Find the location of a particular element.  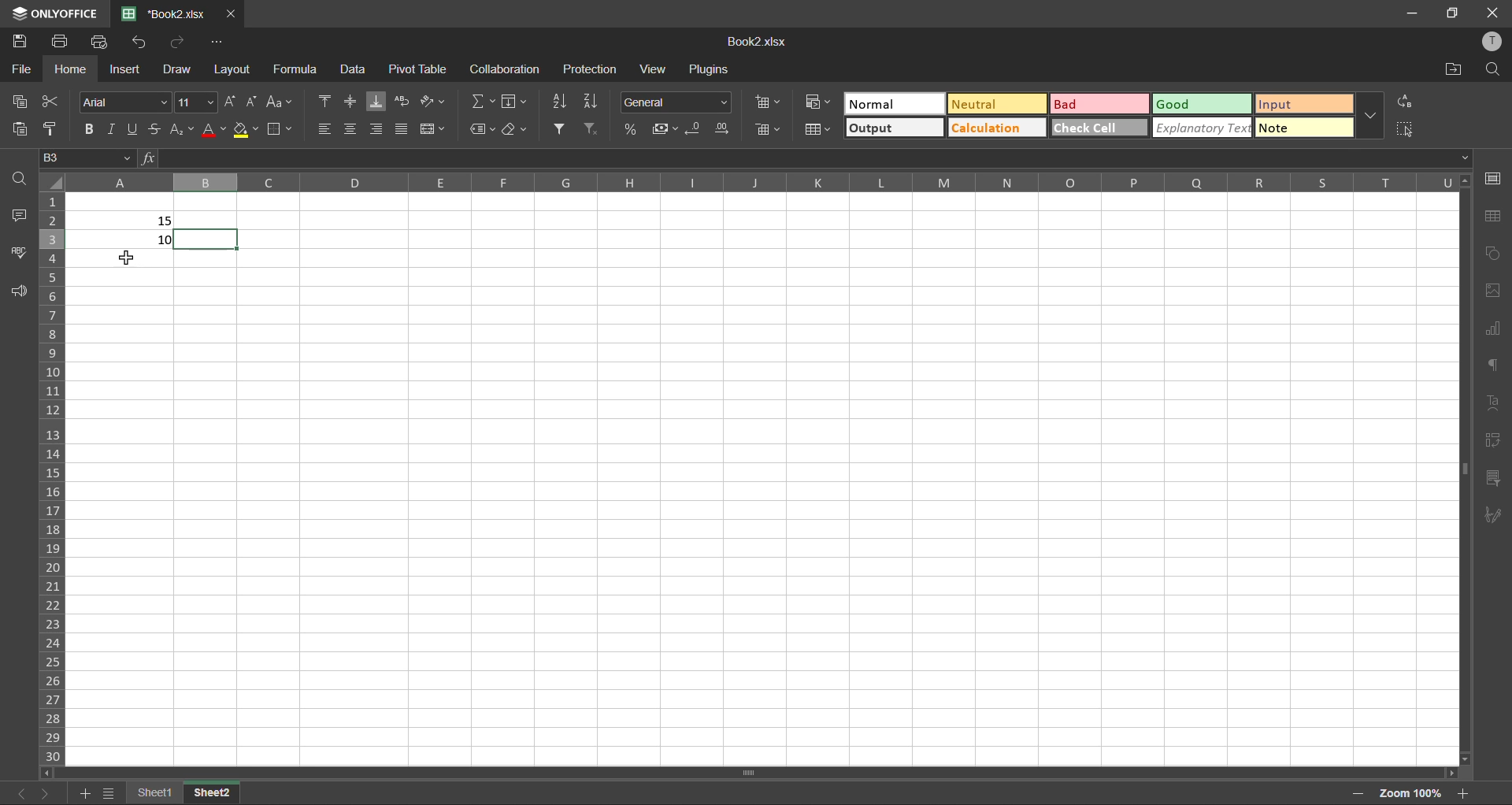

clear filter is located at coordinates (592, 131).